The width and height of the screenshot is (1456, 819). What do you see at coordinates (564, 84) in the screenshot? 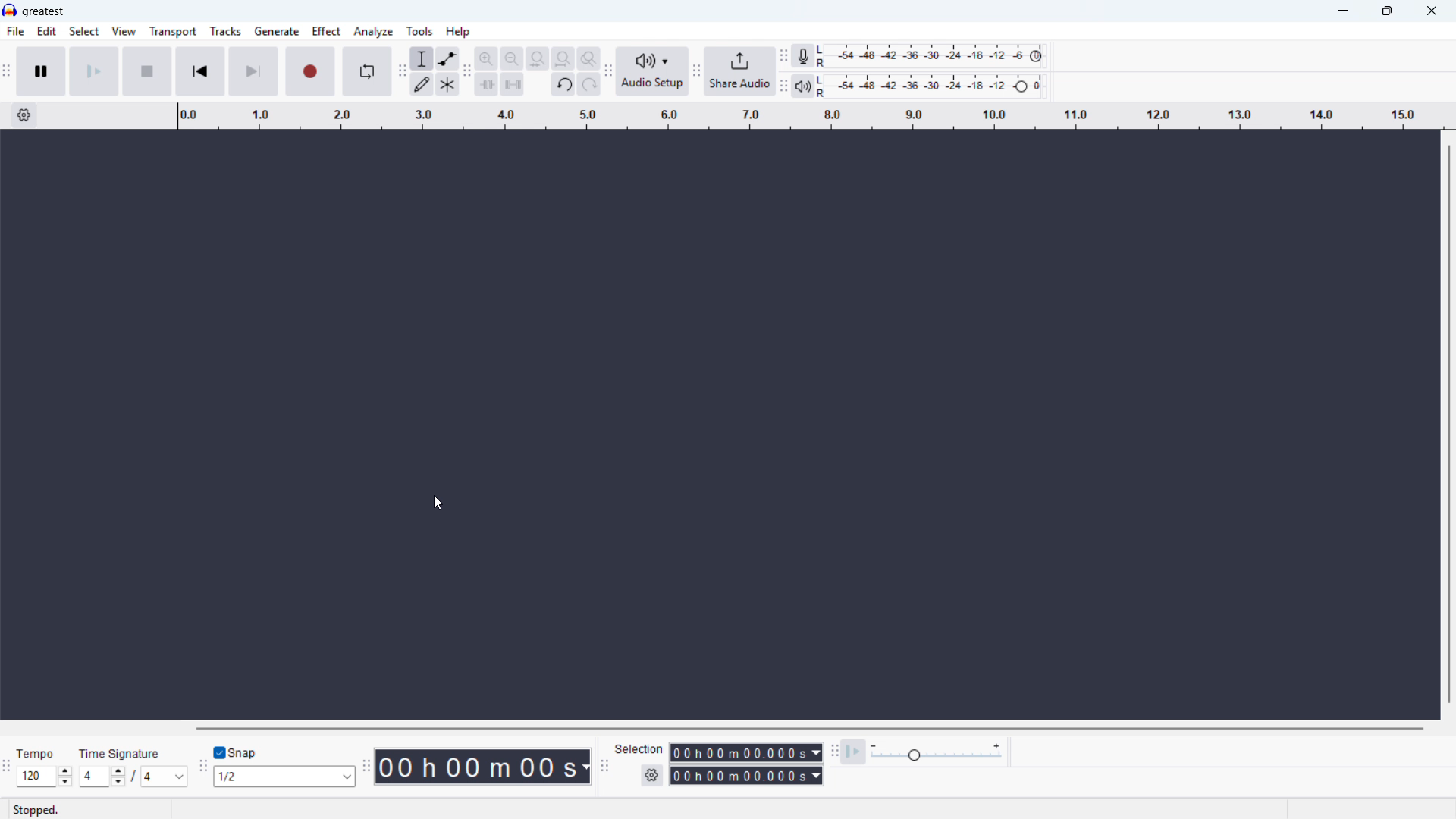
I see `undo` at bounding box center [564, 84].